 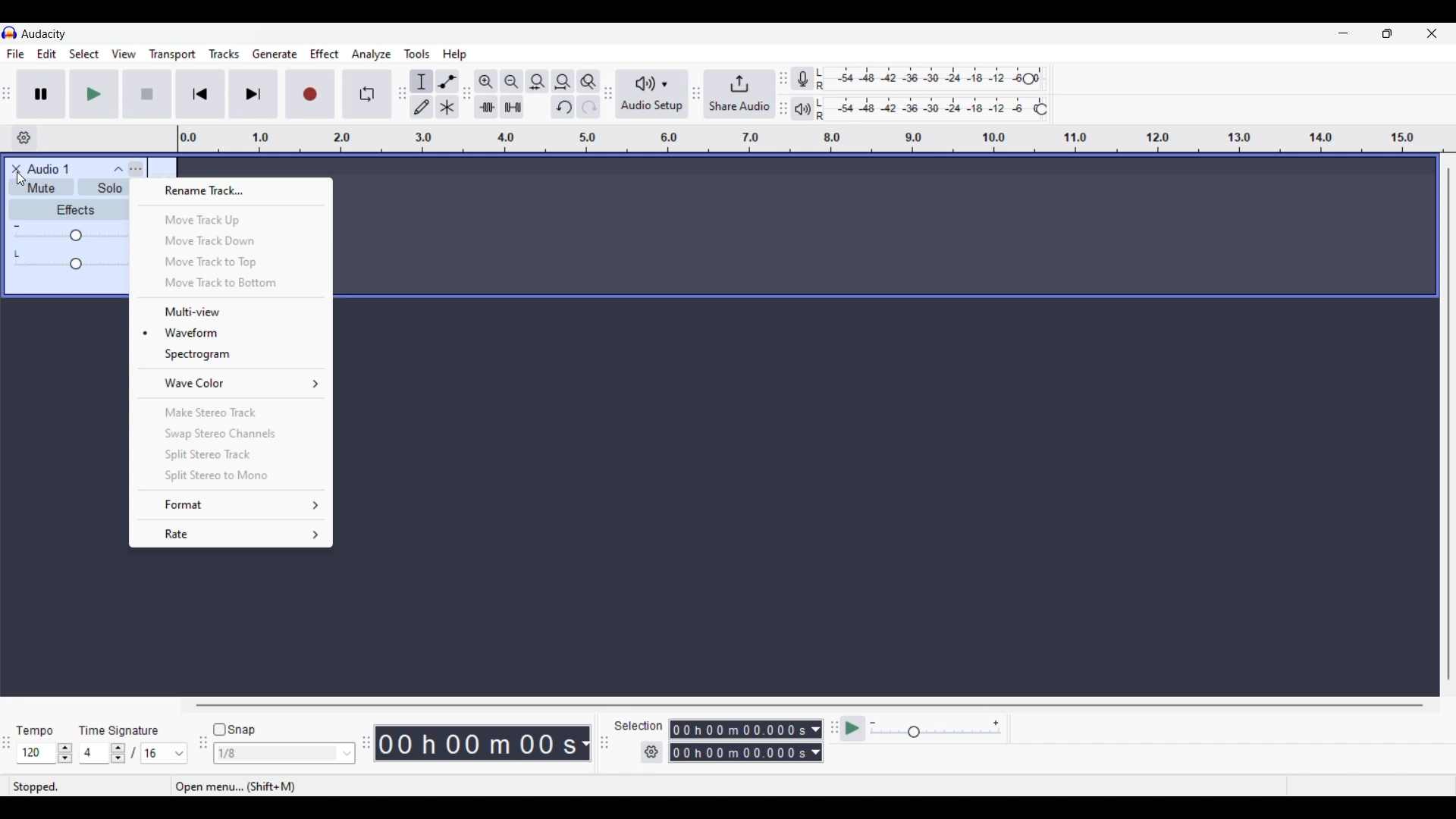 I want to click on slider, so click(x=74, y=265).